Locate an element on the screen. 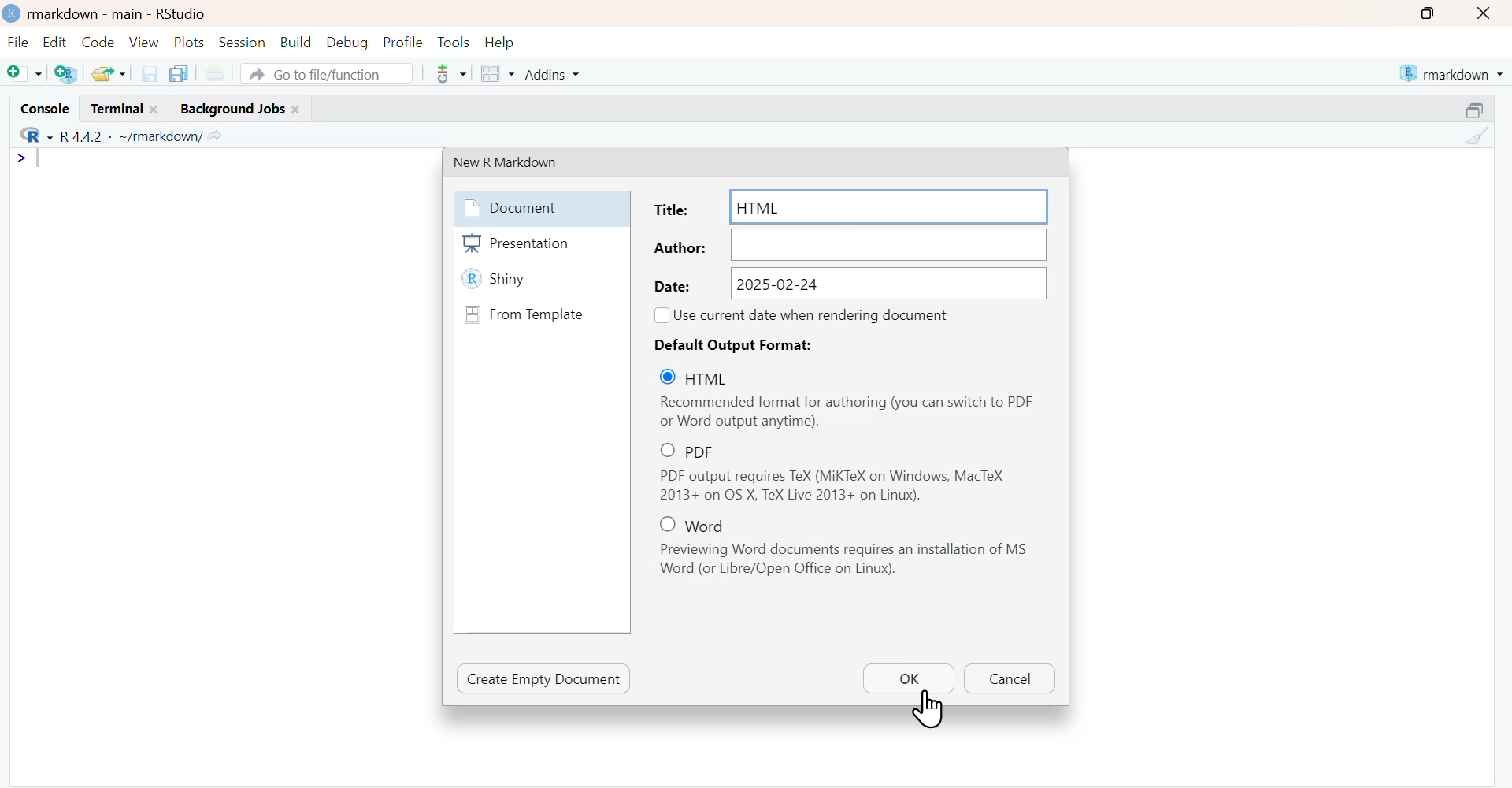 This screenshot has height=788, width=1512. Debug is located at coordinates (346, 43).